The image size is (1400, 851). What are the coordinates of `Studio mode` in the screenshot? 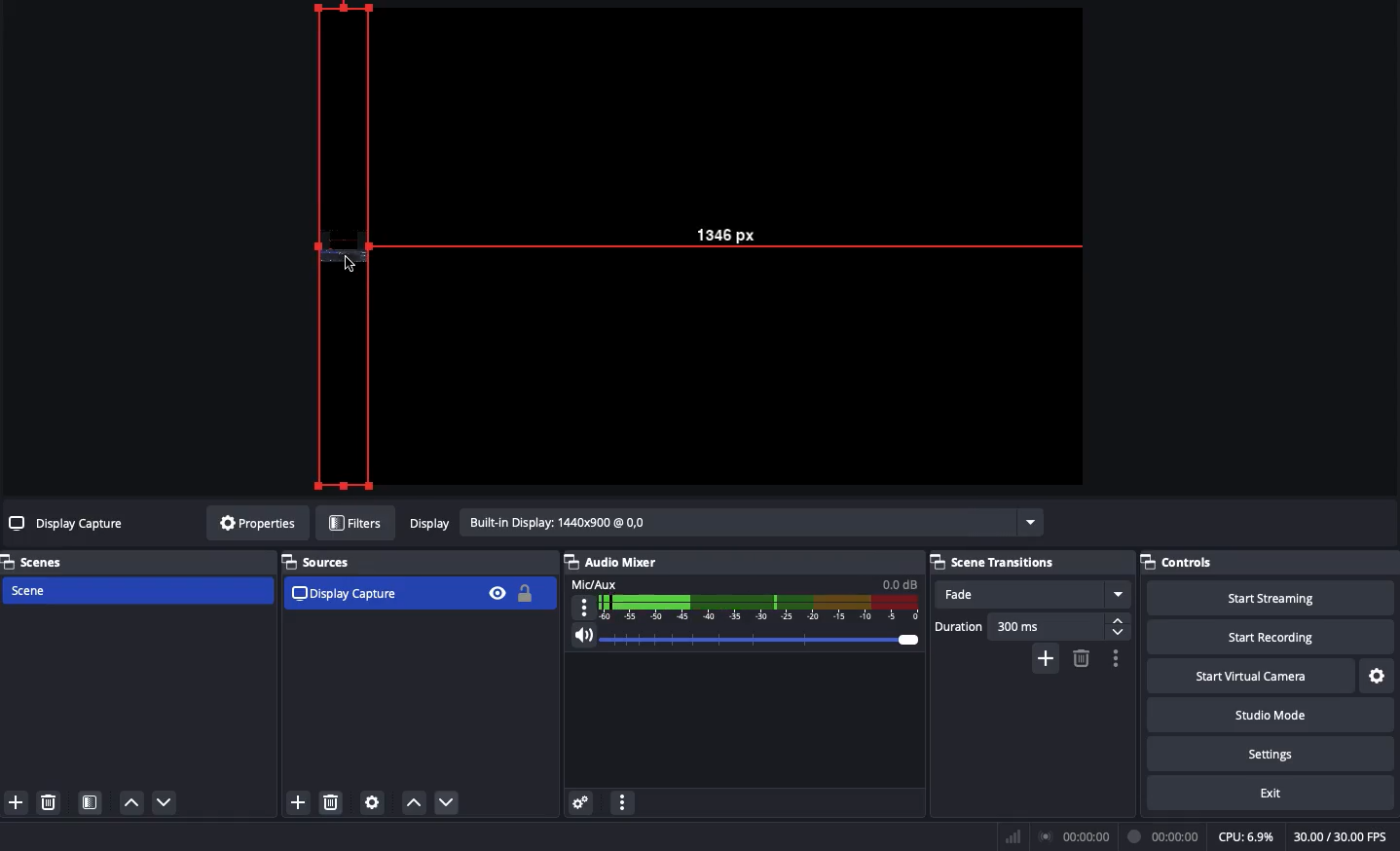 It's located at (1269, 713).